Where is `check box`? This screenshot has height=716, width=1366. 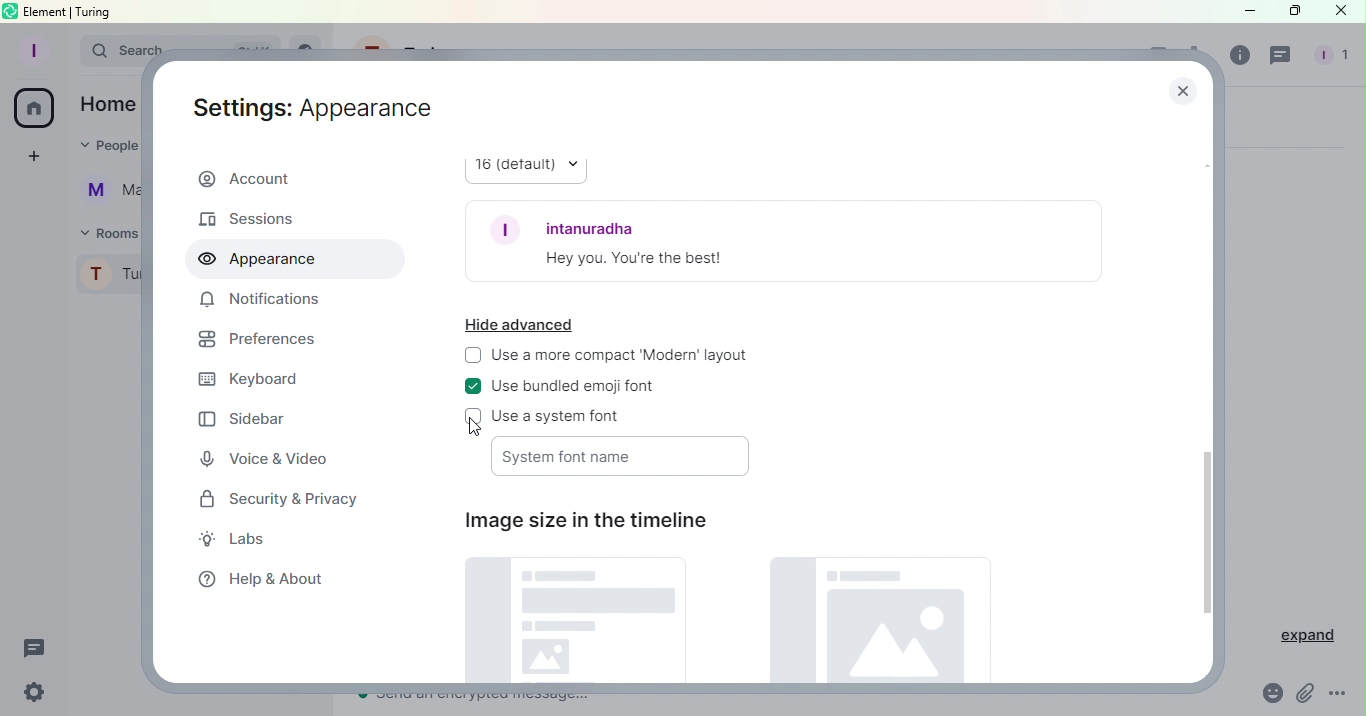 check box is located at coordinates (469, 415).